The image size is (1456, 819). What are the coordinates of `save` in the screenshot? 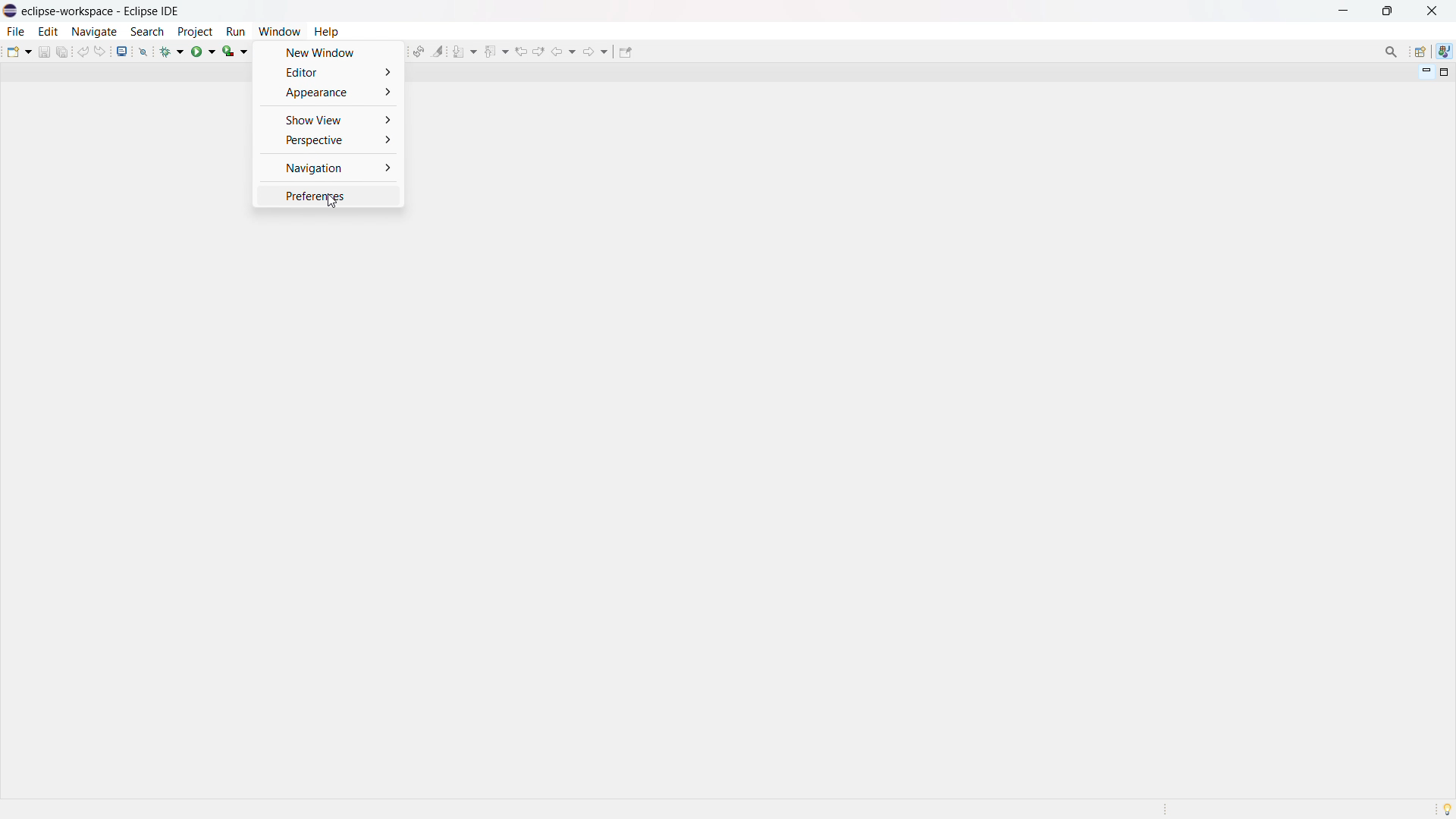 It's located at (44, 52).